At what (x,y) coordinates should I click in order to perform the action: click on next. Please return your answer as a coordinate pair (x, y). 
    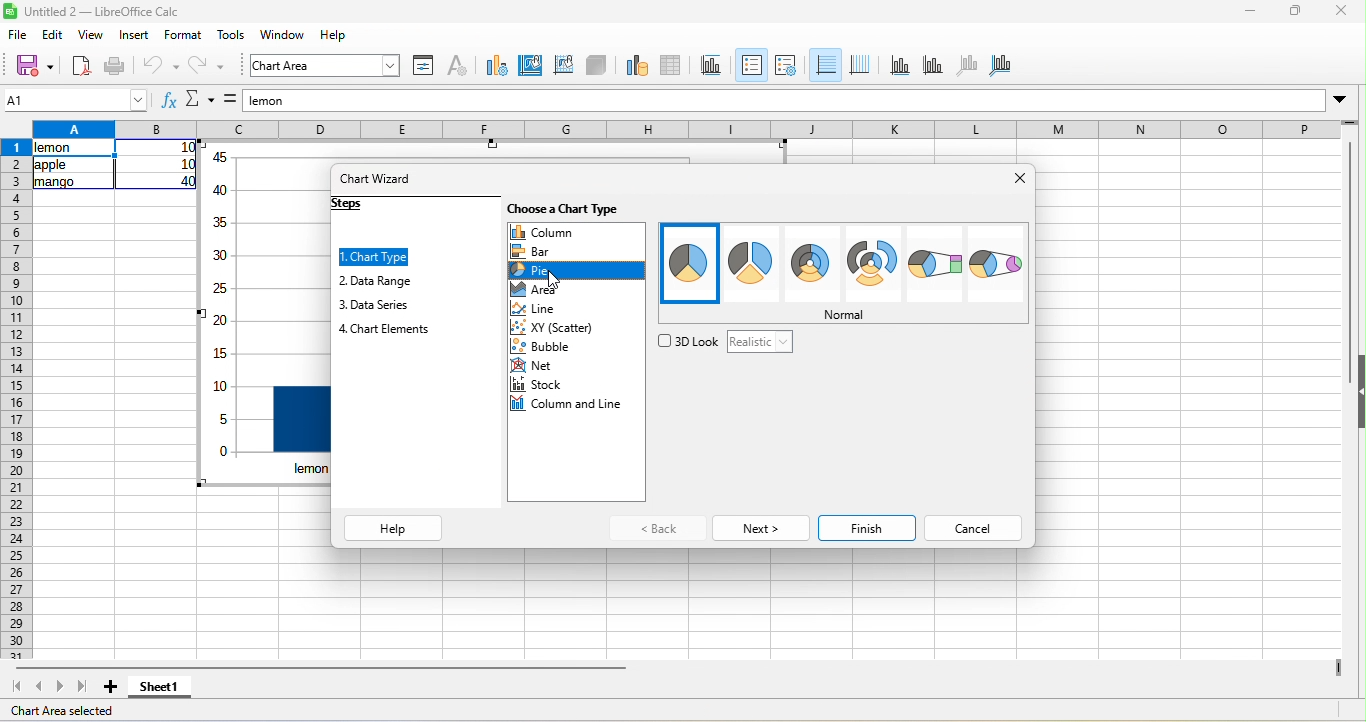
    Looking at the image, I should click on (760, 528).